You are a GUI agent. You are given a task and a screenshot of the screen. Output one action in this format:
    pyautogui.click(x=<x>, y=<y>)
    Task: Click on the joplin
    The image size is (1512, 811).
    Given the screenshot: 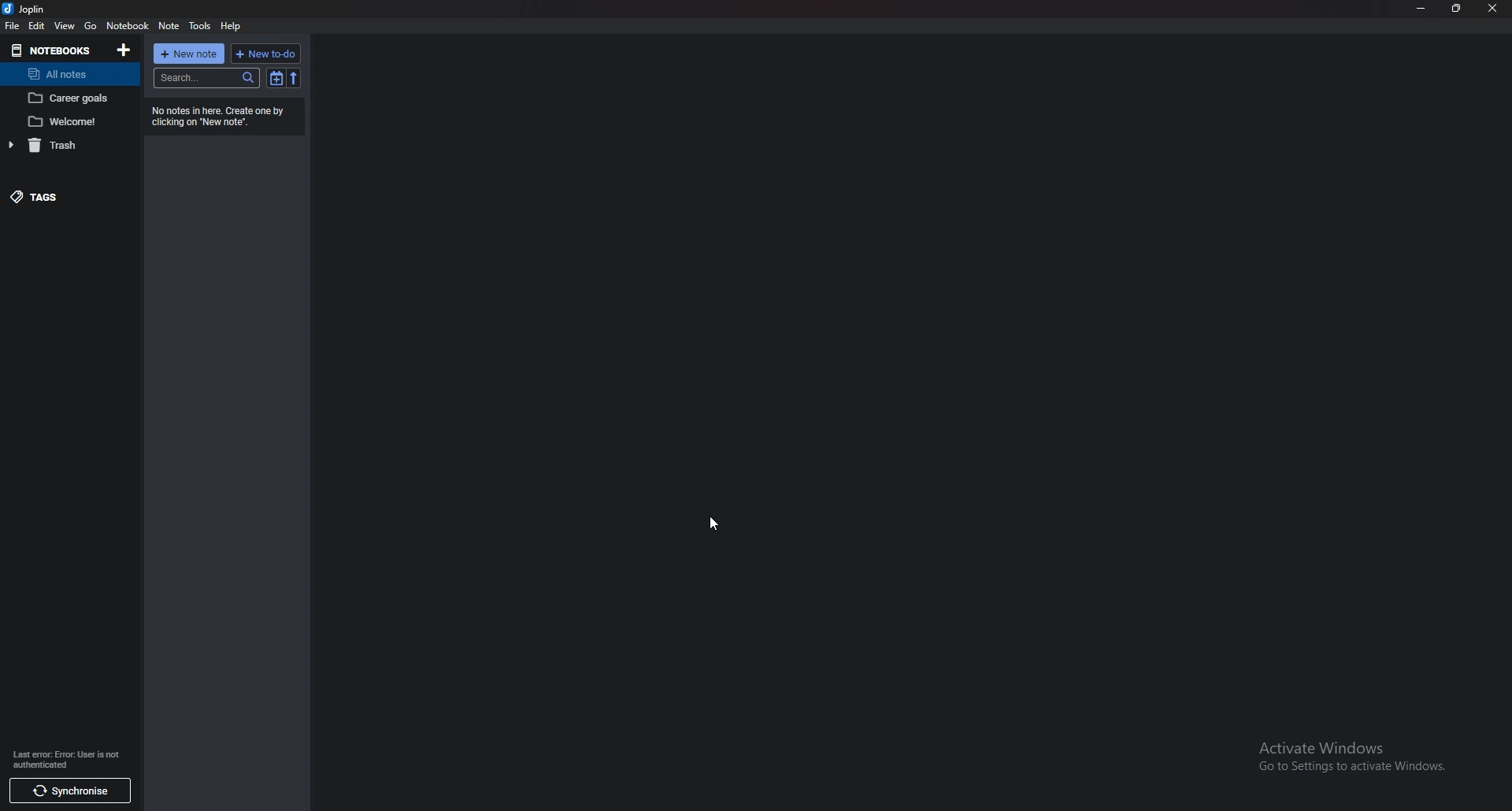 What is the action you would take?
    pyautogui.click(x=28, y=9)
    